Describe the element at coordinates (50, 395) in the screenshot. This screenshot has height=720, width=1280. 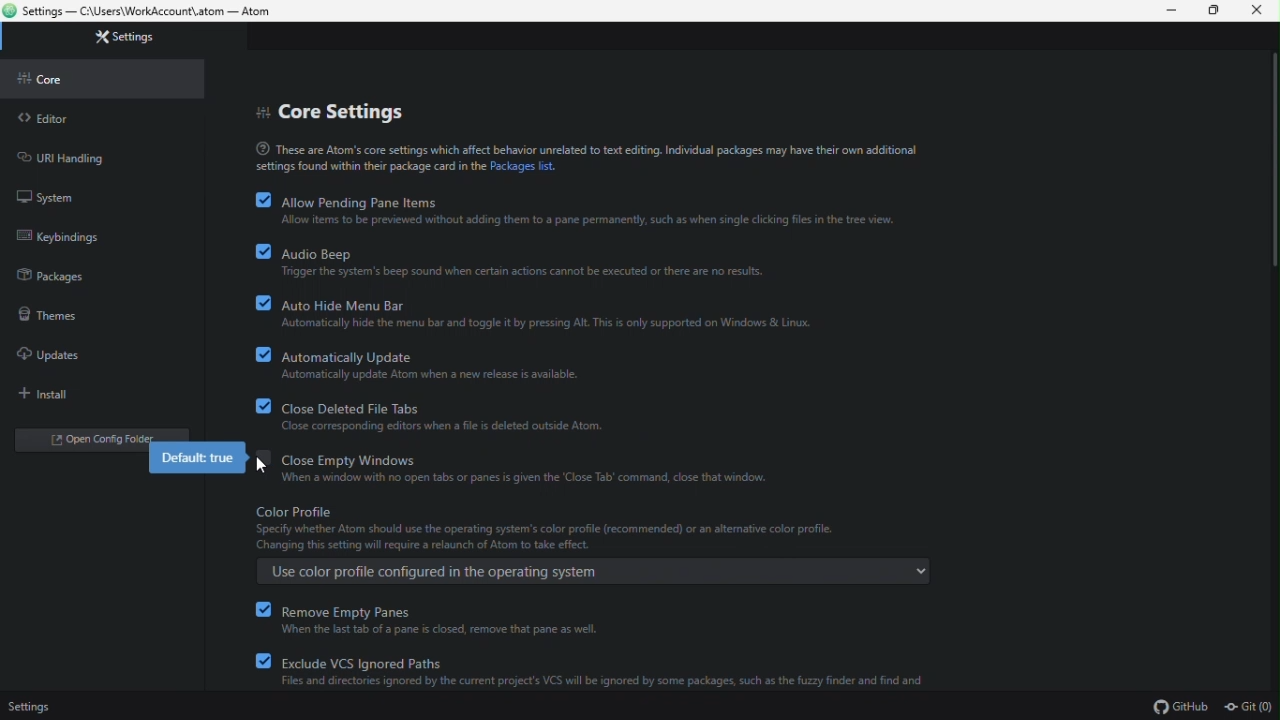
I see `install` at that location.